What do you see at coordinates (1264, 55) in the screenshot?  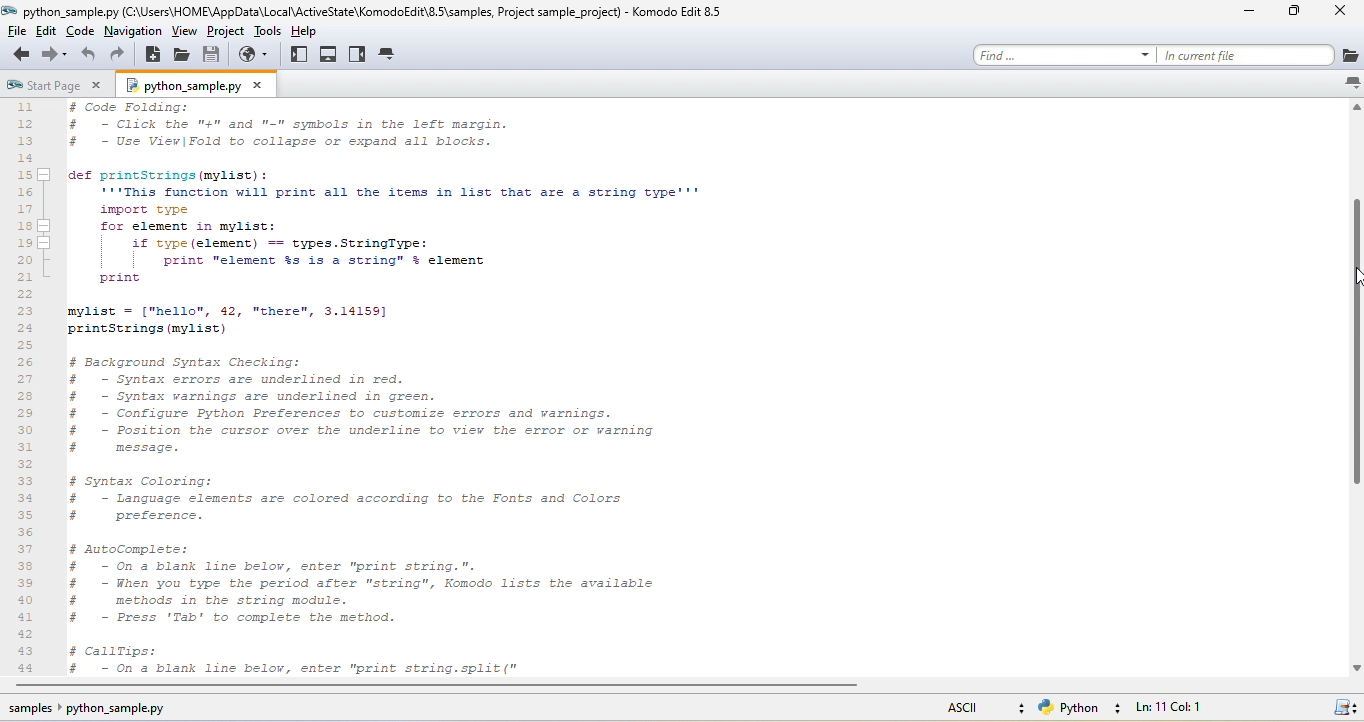 I see `in current file` at bounding box center [1264, 55].